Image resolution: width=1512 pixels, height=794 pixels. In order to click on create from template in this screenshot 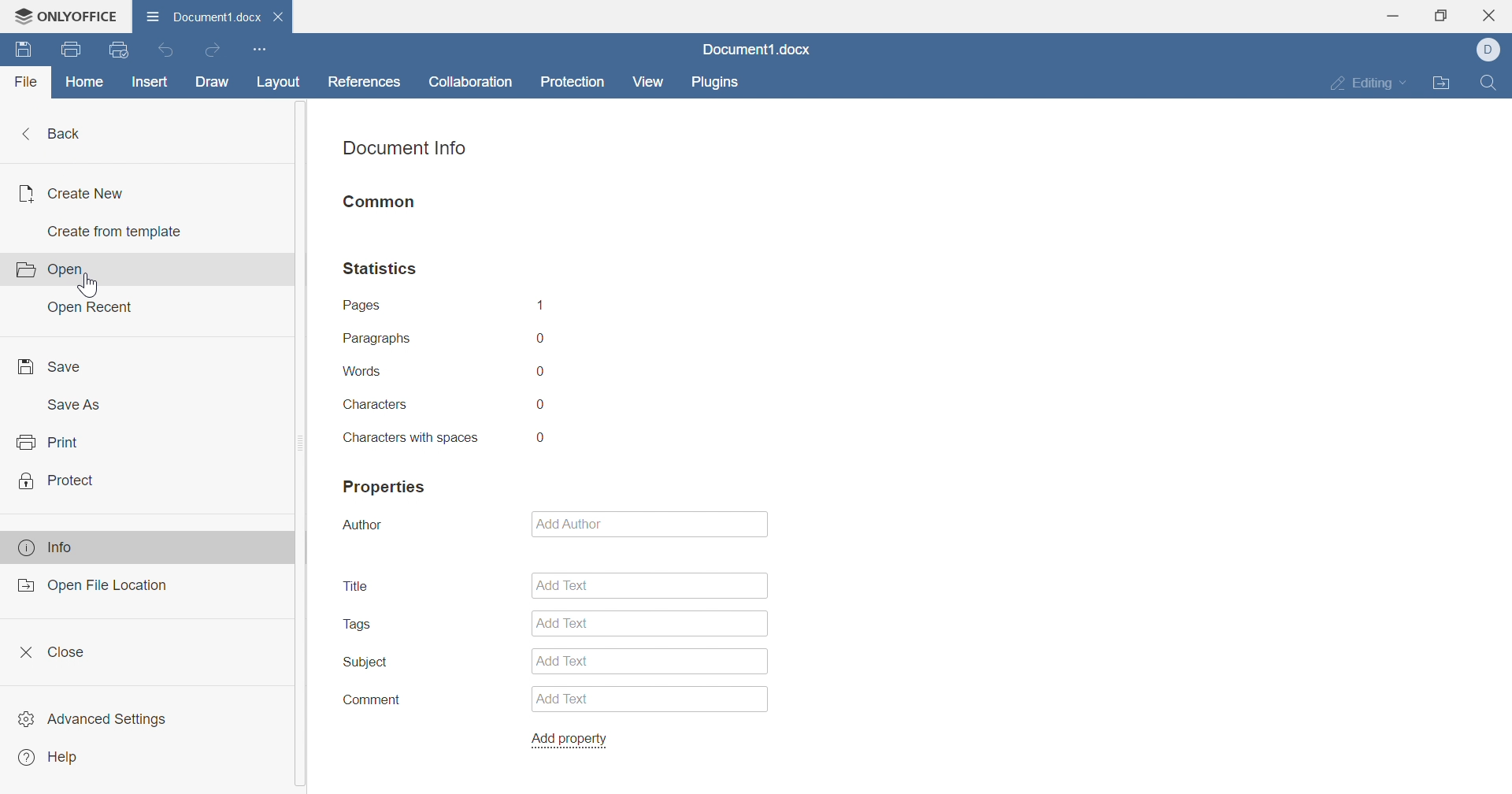, I will do `click(114, 232)`.